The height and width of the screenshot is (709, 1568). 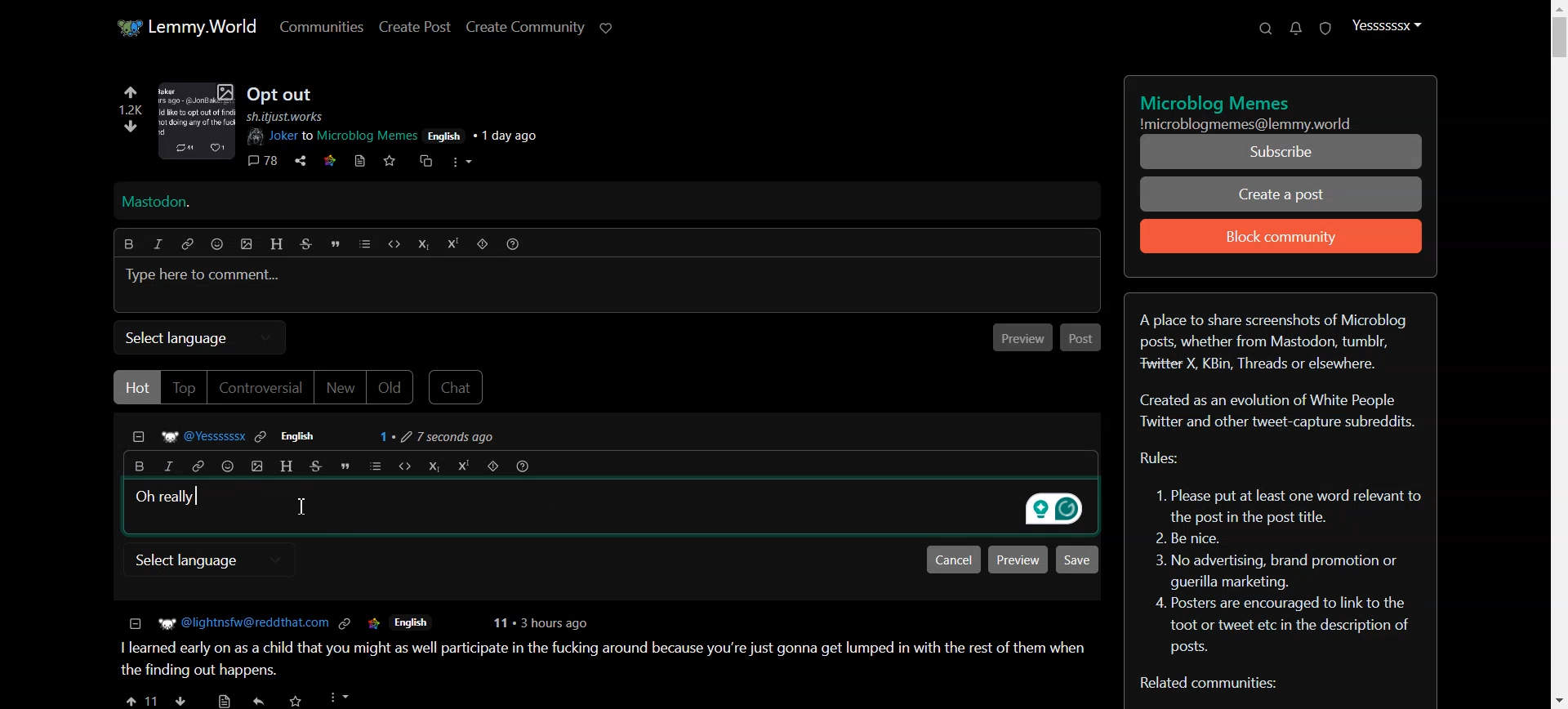 What do you see at coordinates (606, 286) in the screenshot?
I see `Typing window` at bounding box center [606, 286].